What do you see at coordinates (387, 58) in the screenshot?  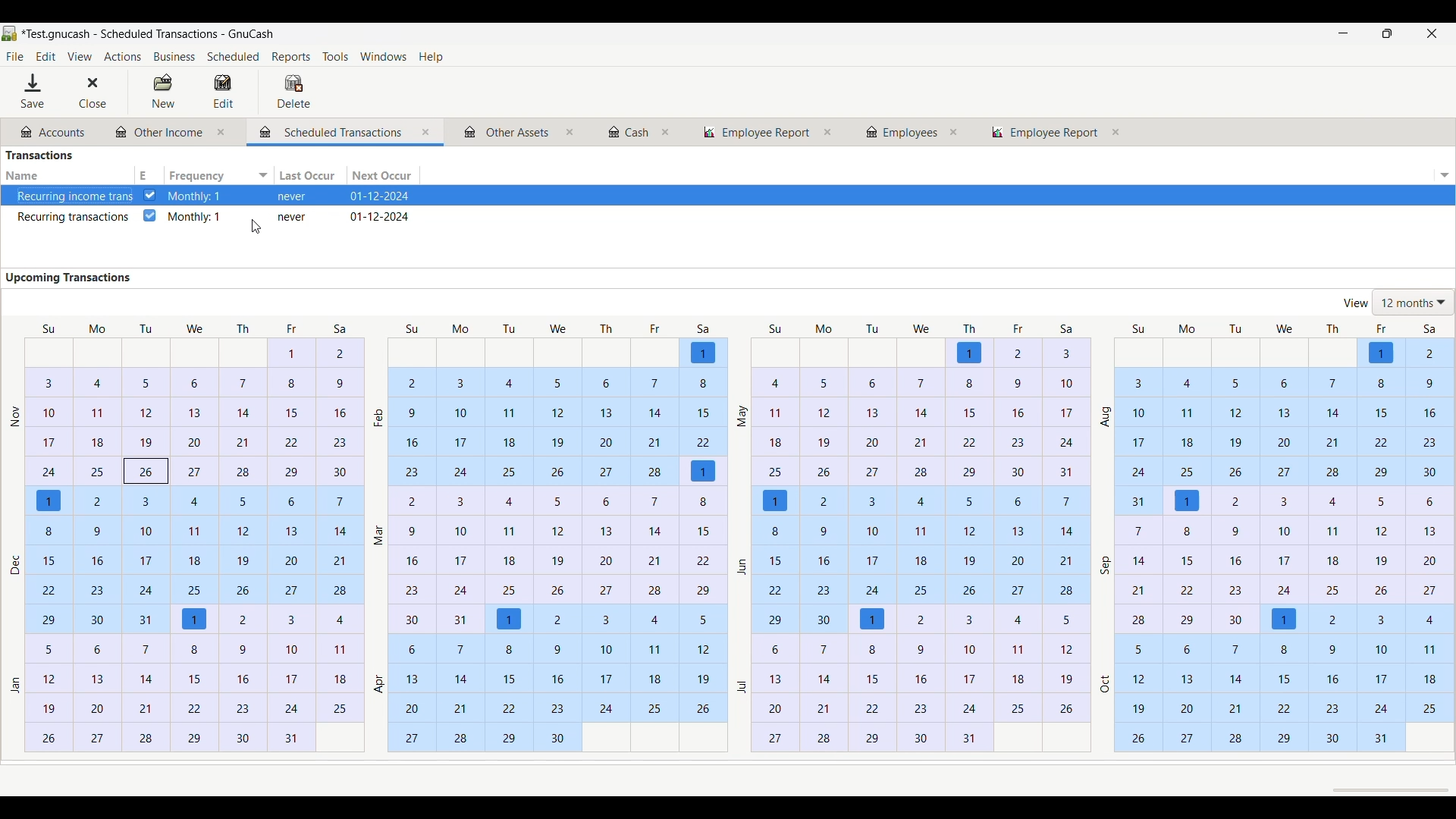 I see `Windows menu` at bounding box center [387, 58].